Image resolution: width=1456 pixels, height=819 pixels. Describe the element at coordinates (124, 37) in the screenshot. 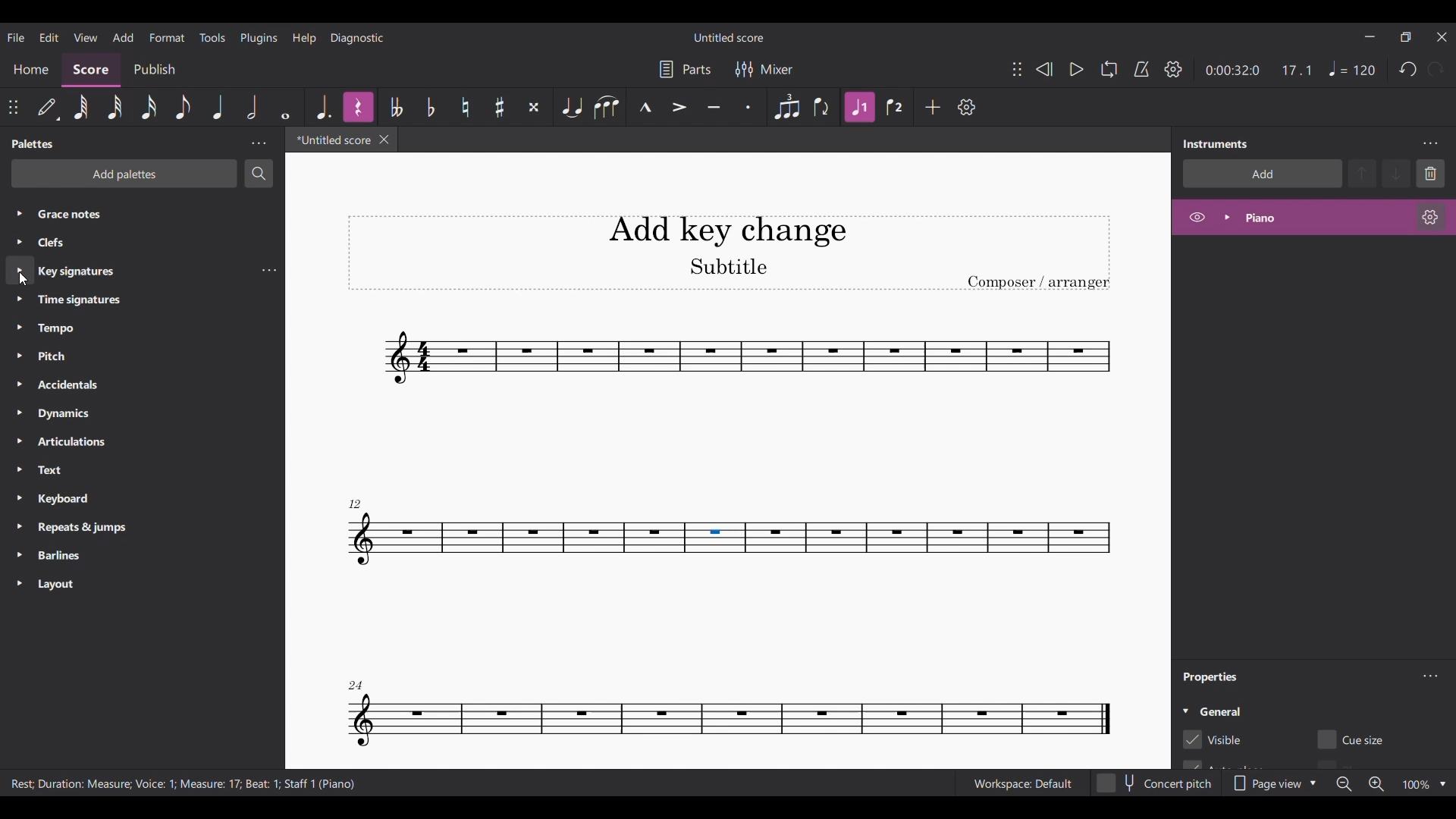

I see `Add menu` at that location.